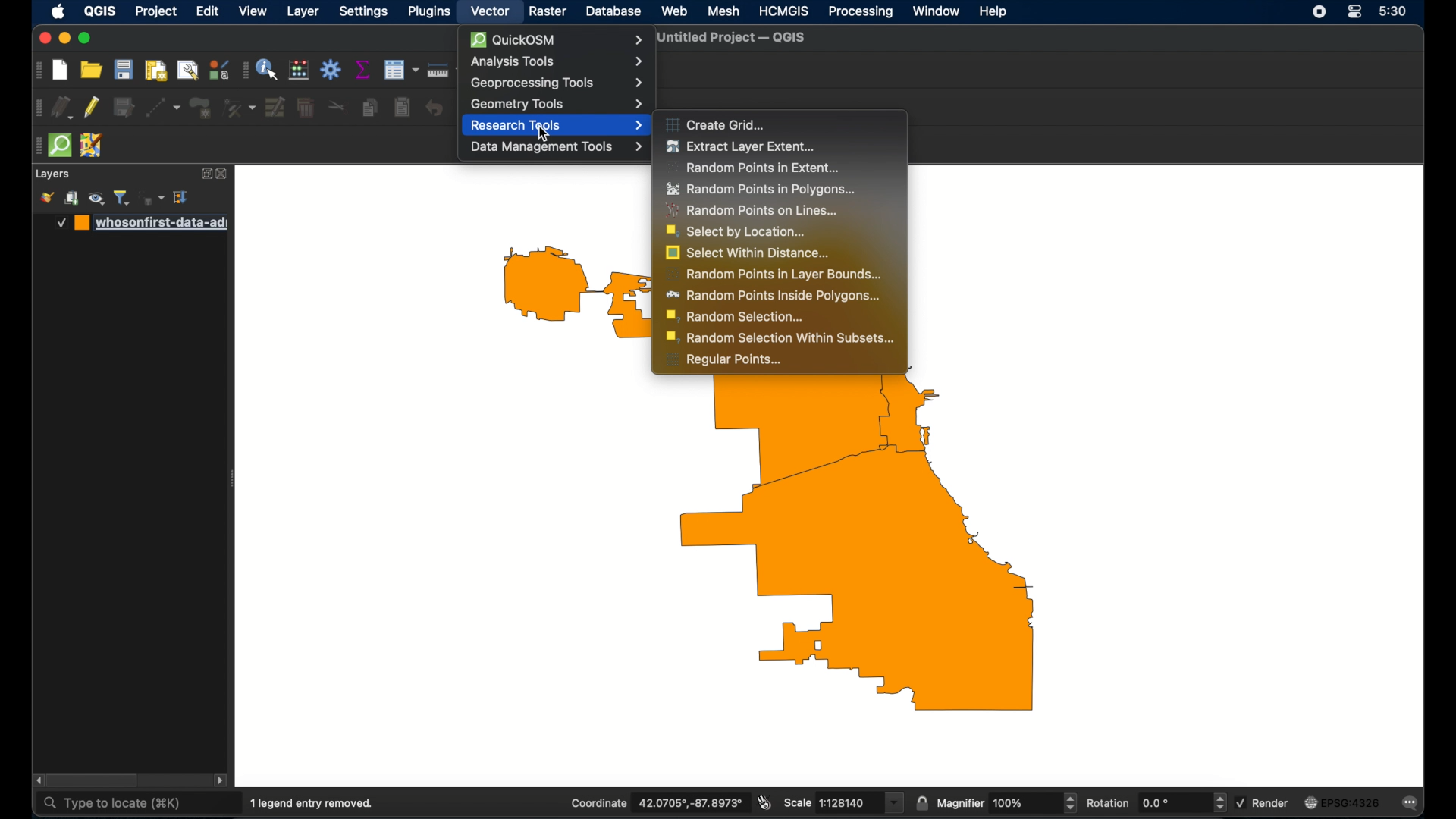 This screenshot has width=1456, height=819. What do you see at coordinates (555, 103) in the screenshot?
I see `geometry tools menu` at bounding box center [555, 103].